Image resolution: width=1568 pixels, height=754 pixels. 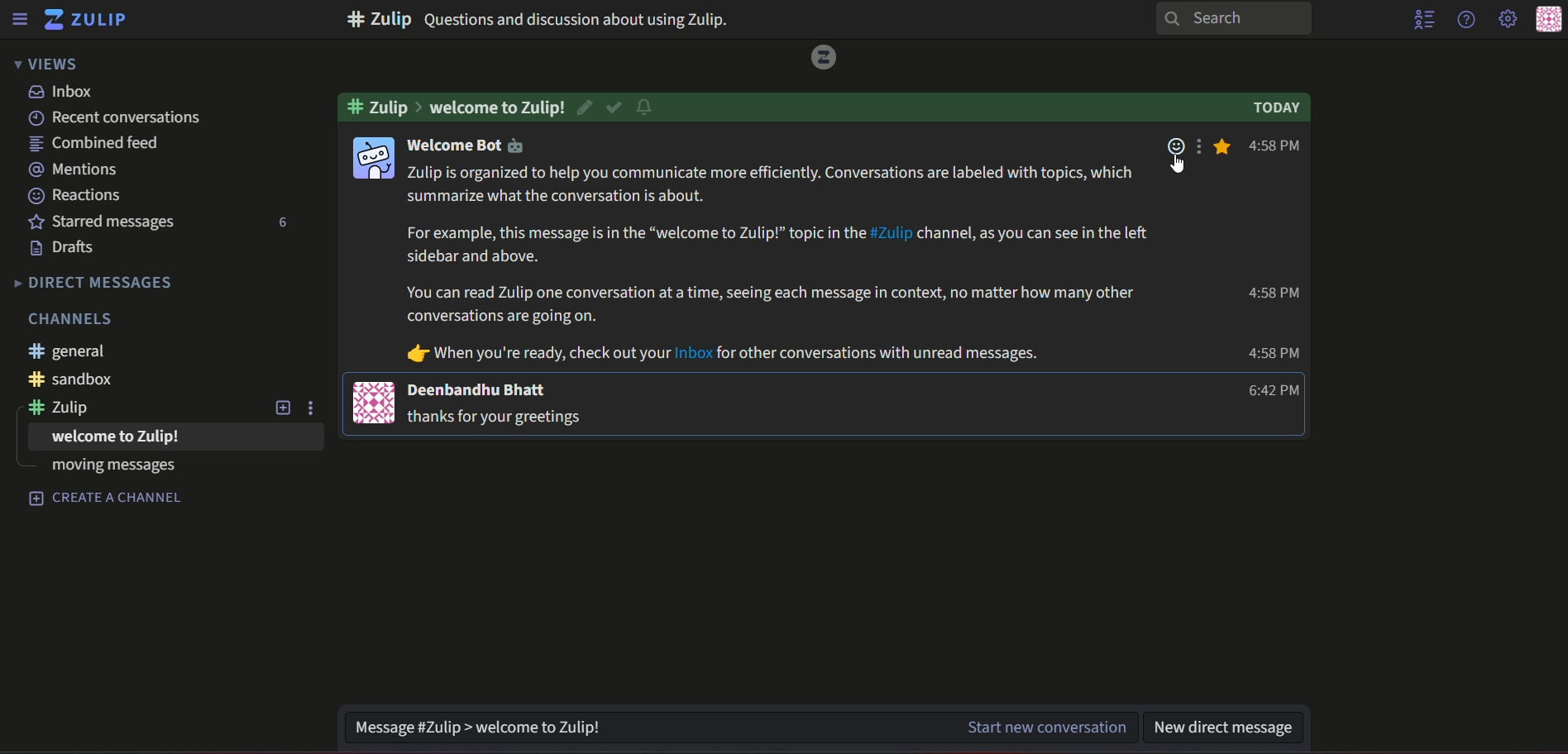 I want to click on emojis, so click(x=1174, y=158).